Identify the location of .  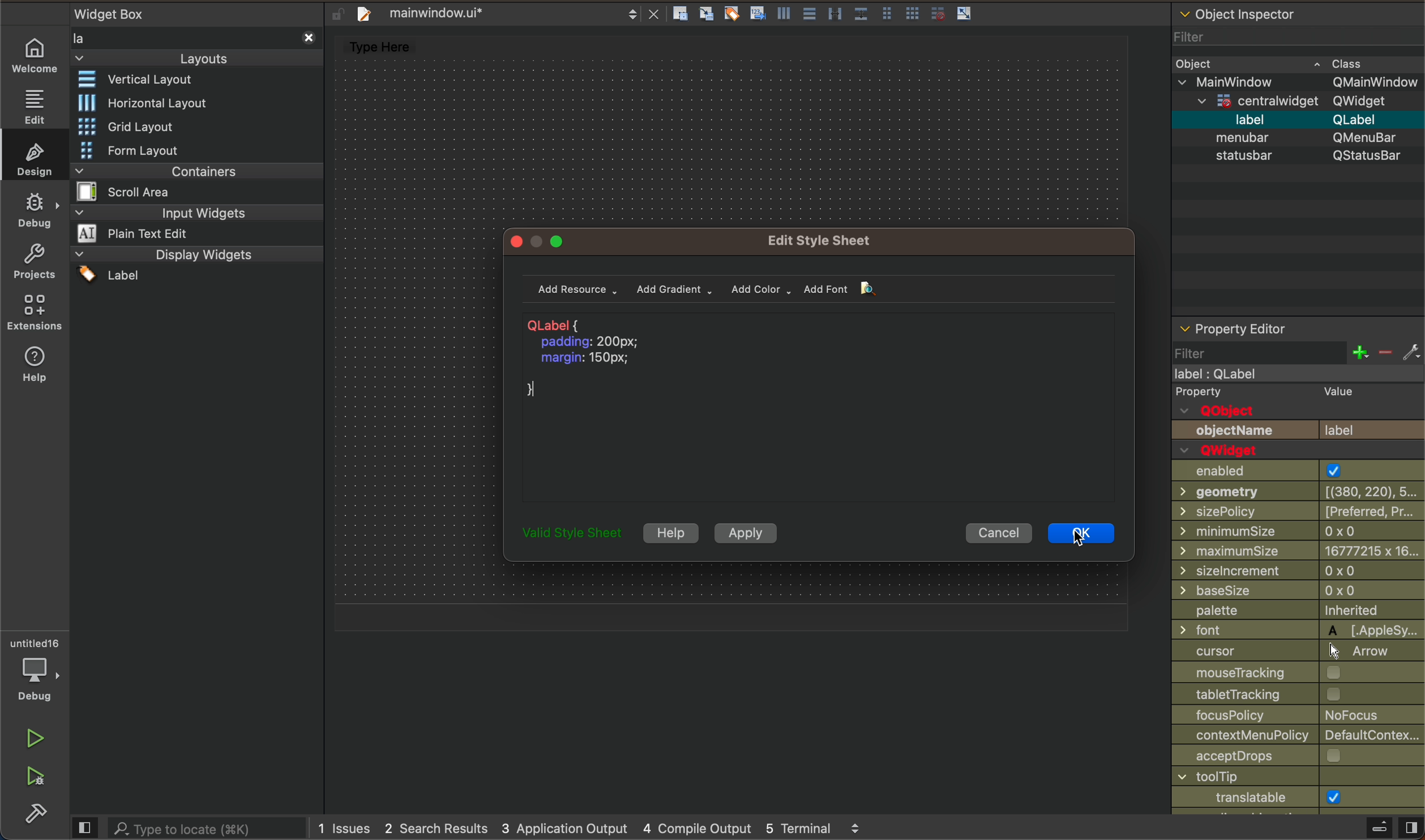
(1299, 778).